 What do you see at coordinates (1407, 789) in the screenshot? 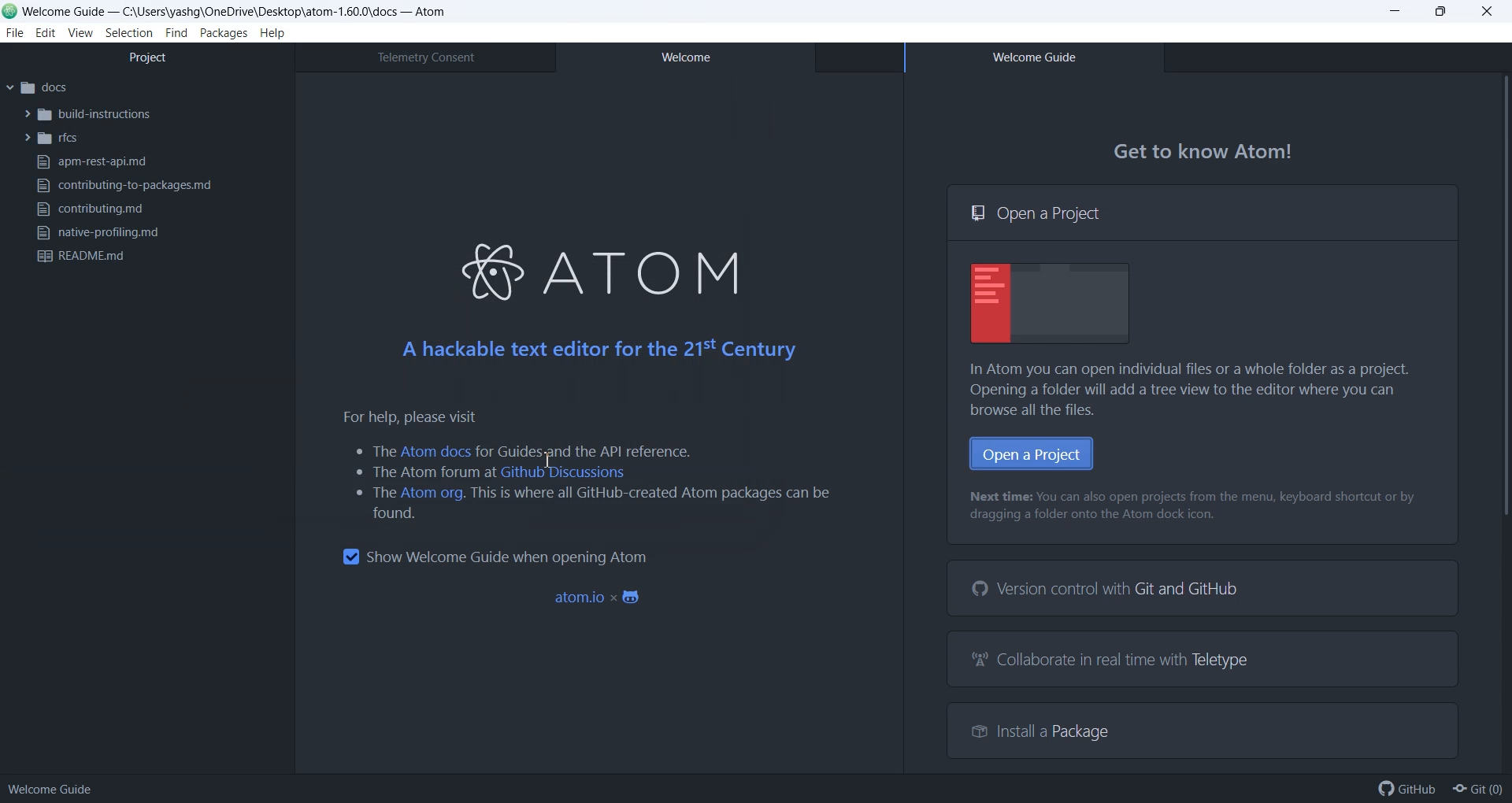
I see `GitHub` at bounding box center [1407, 789].